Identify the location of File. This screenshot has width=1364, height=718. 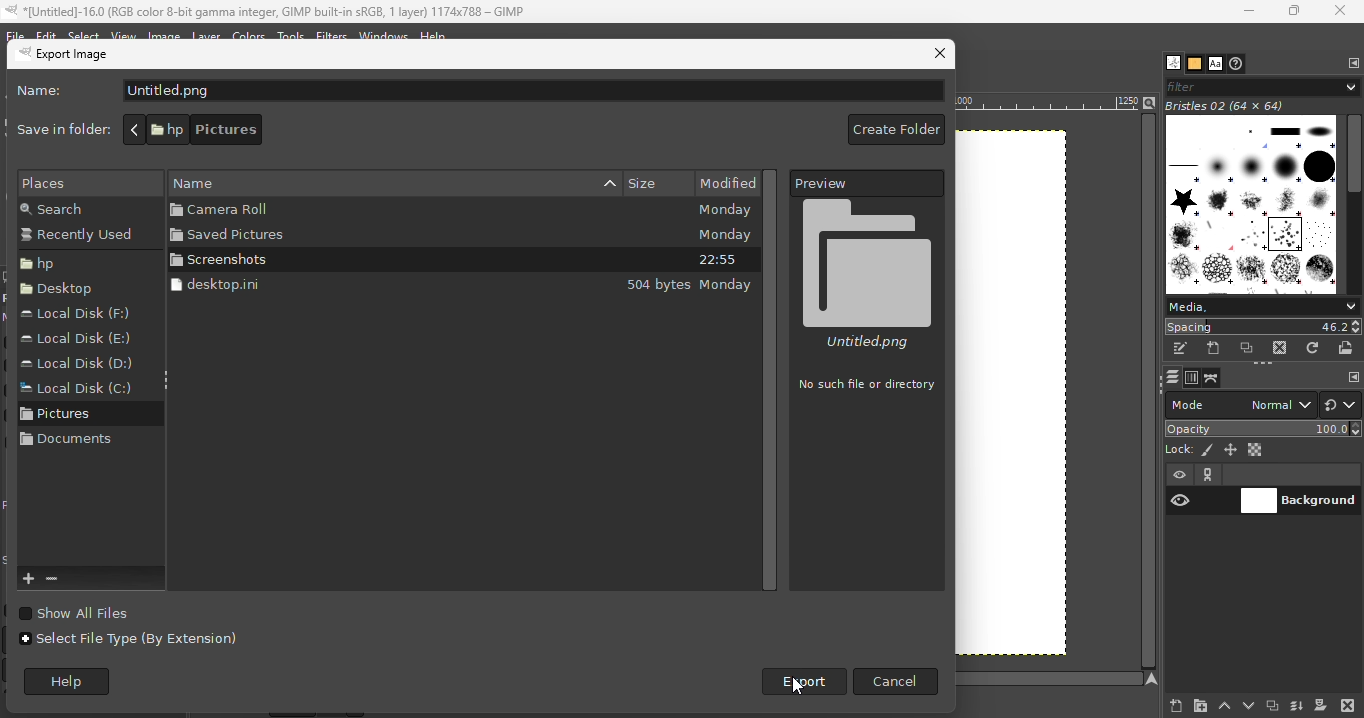
(14, 33).